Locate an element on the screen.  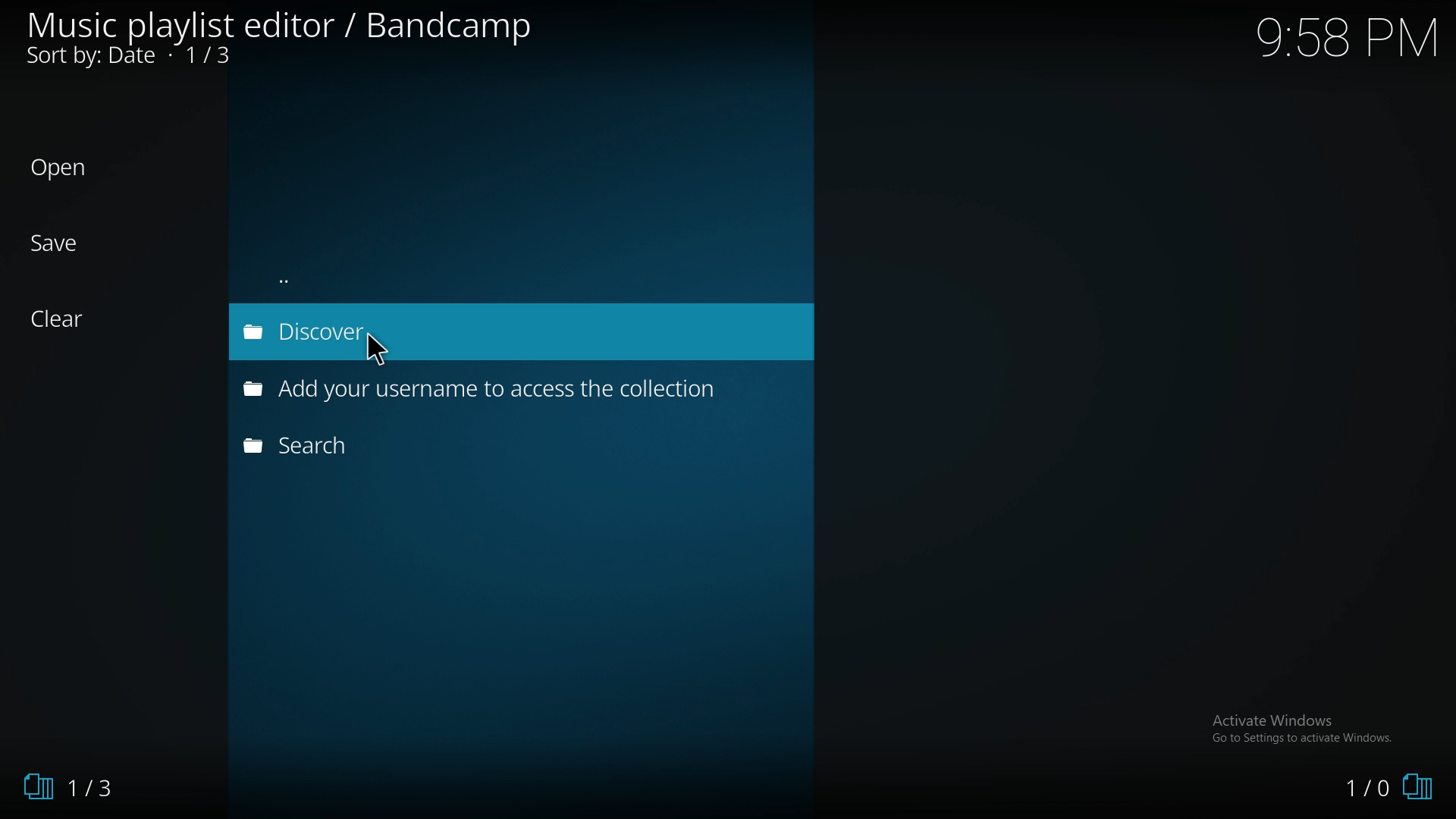
discover is located at coordinates (398, 333).